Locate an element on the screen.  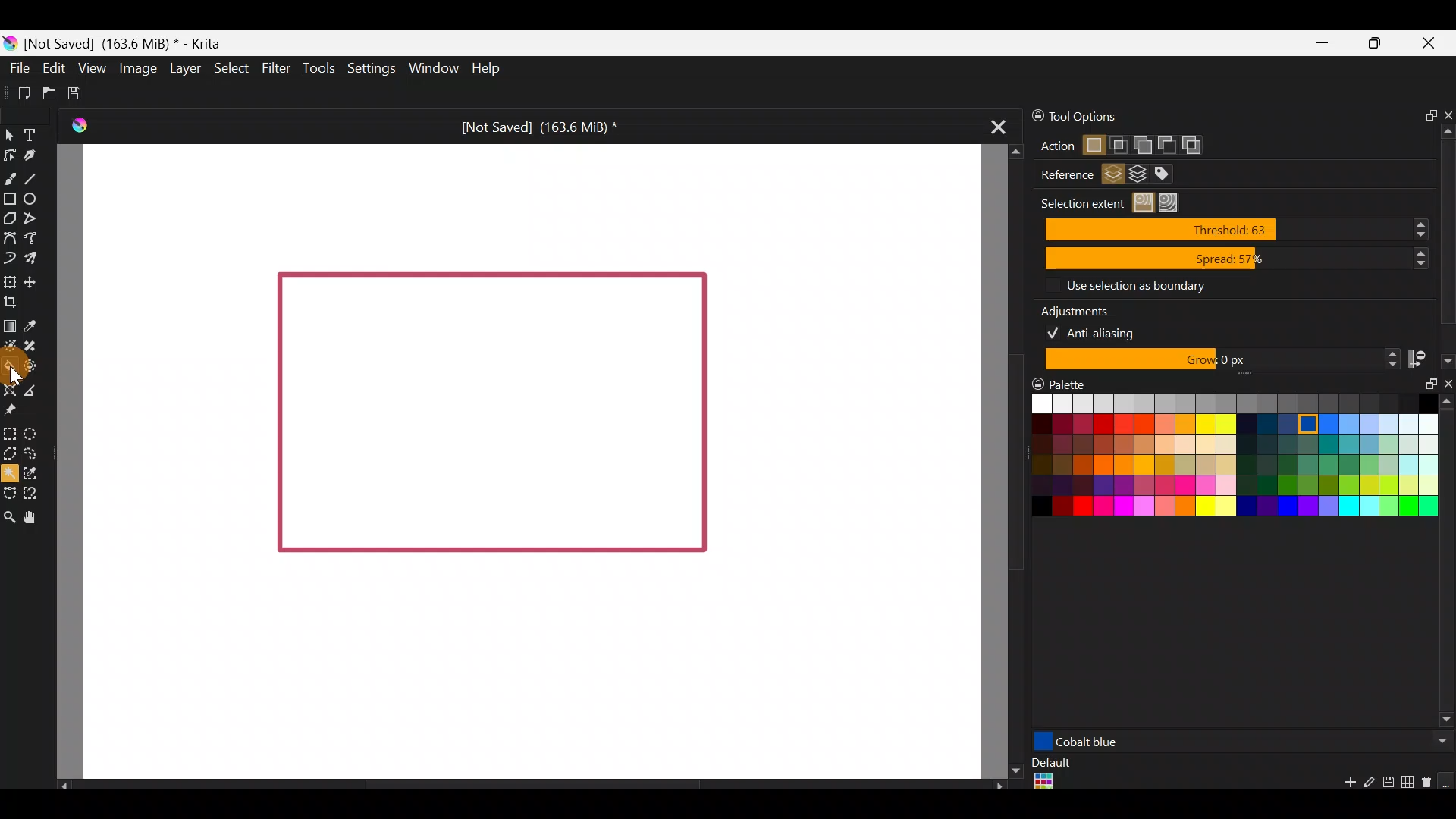
Assistant tool is located at coordinates (10, 388).